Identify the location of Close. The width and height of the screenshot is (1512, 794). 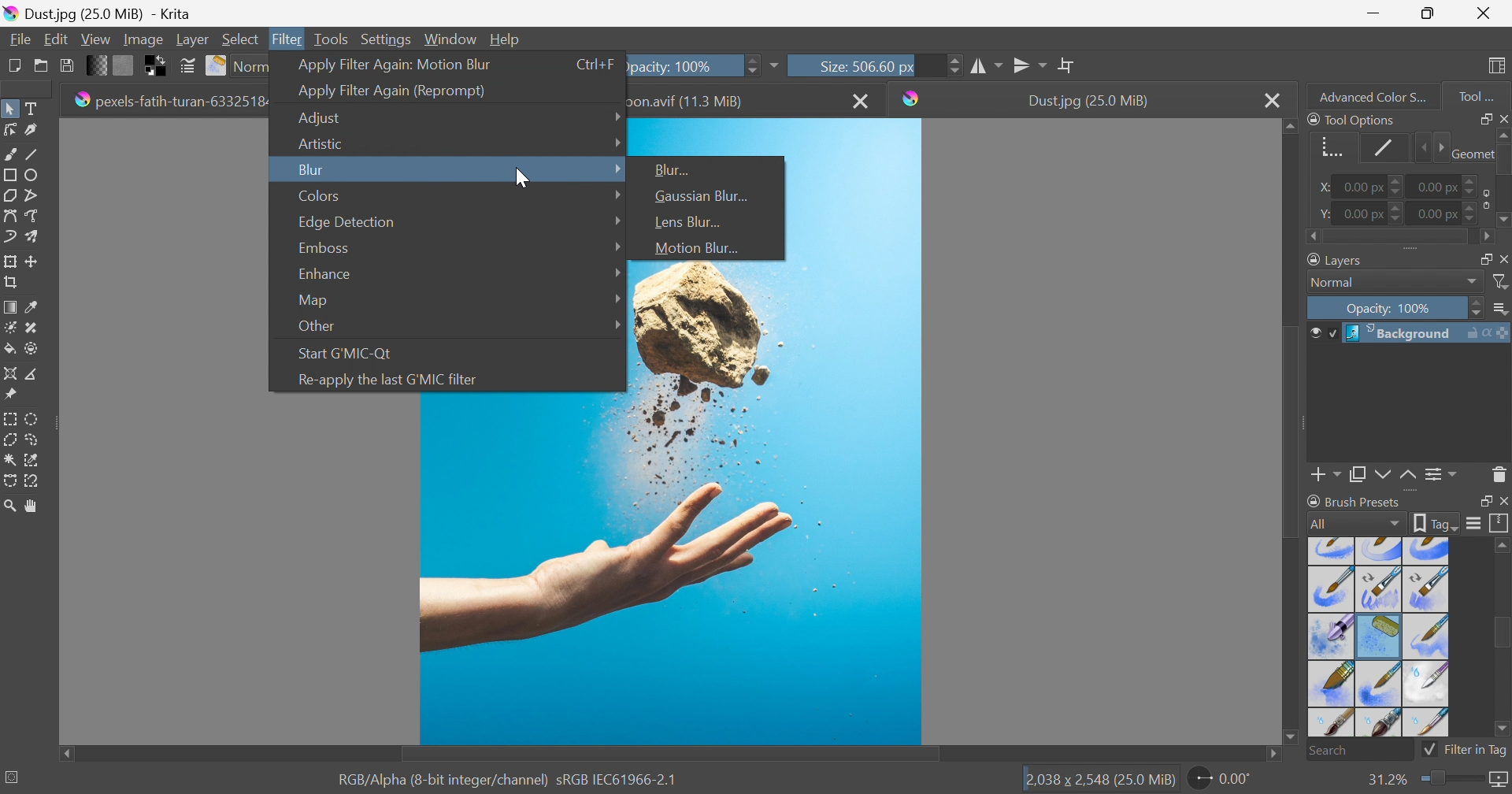
(1484, 13).